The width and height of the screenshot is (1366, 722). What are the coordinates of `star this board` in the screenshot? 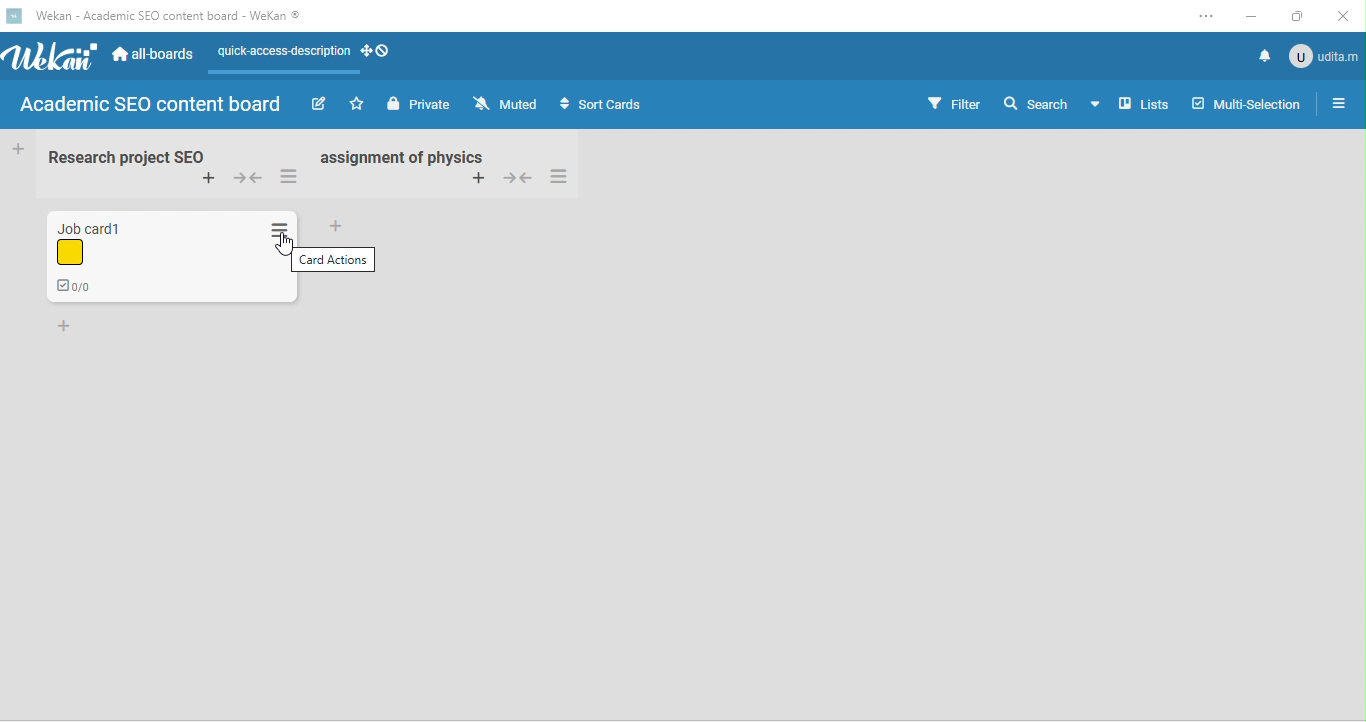 It's located at (359, 105).